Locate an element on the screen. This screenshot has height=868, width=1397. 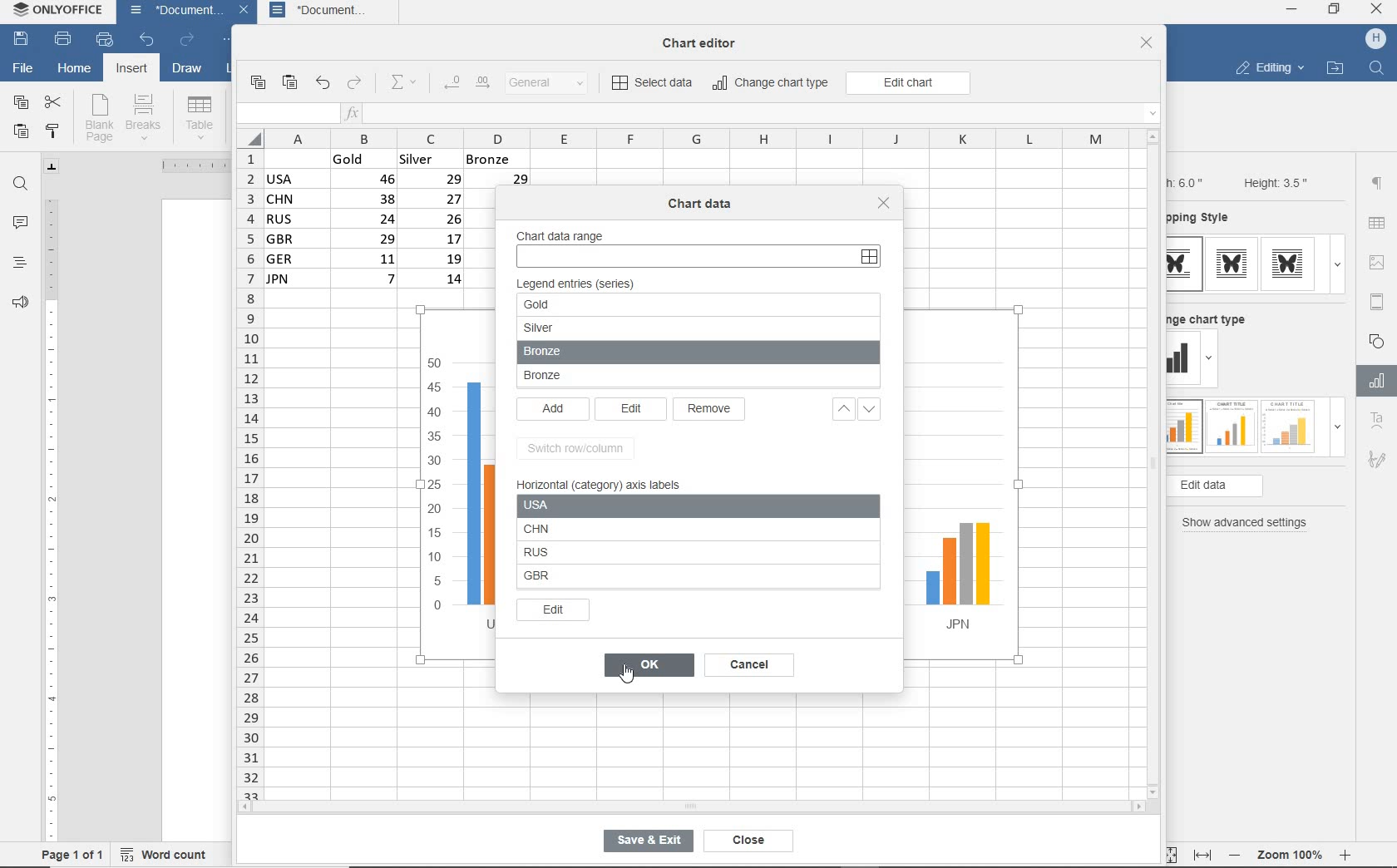
table is located at coordinates (200, 117).